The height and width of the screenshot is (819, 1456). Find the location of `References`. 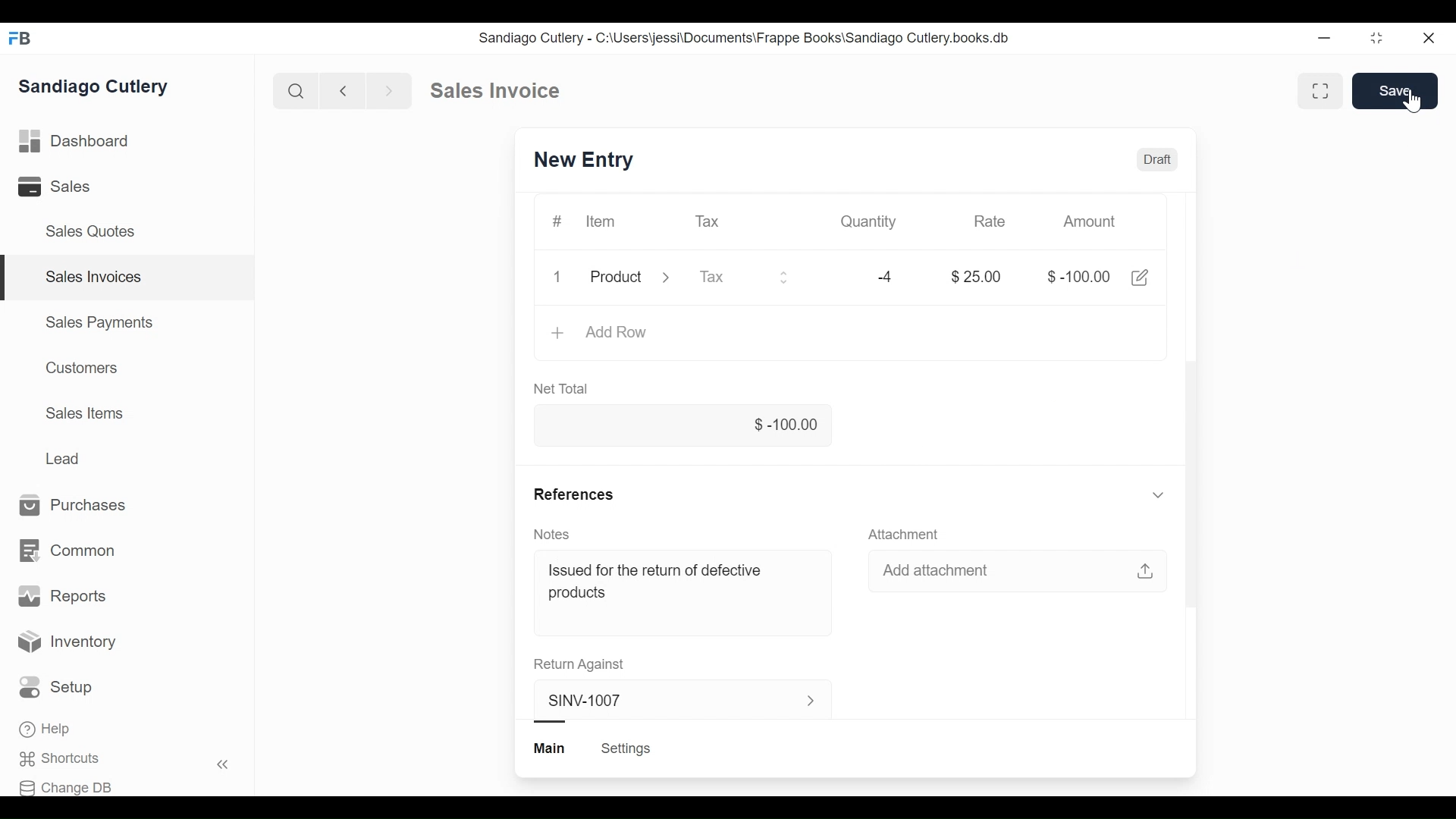

References is located at coordinates (852, 494).